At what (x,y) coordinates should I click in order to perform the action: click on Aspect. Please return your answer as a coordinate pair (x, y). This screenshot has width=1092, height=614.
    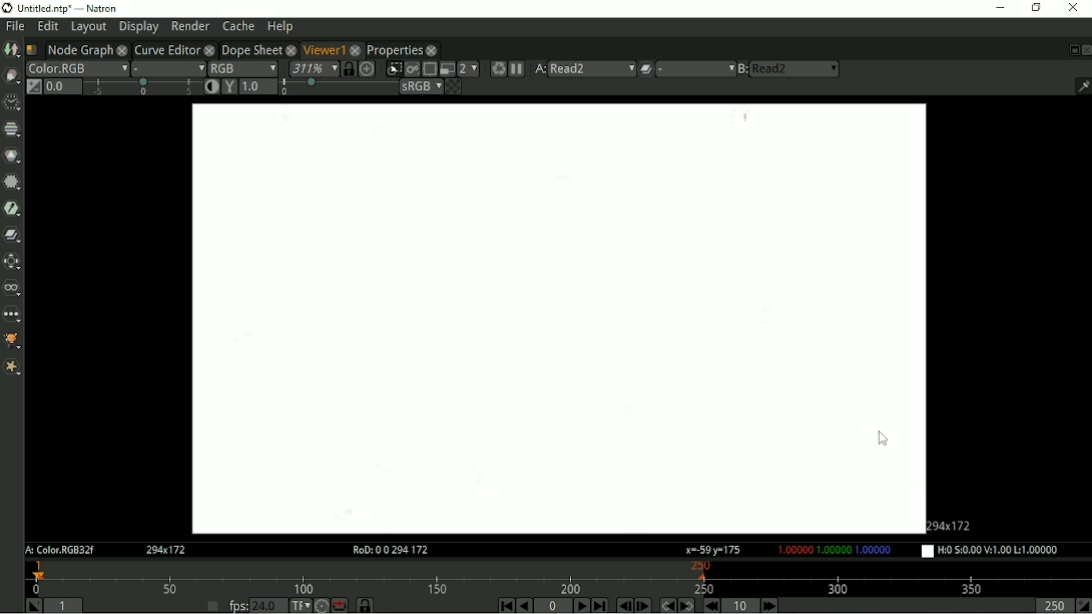
    Looking at the image, I should click on (167, 550).